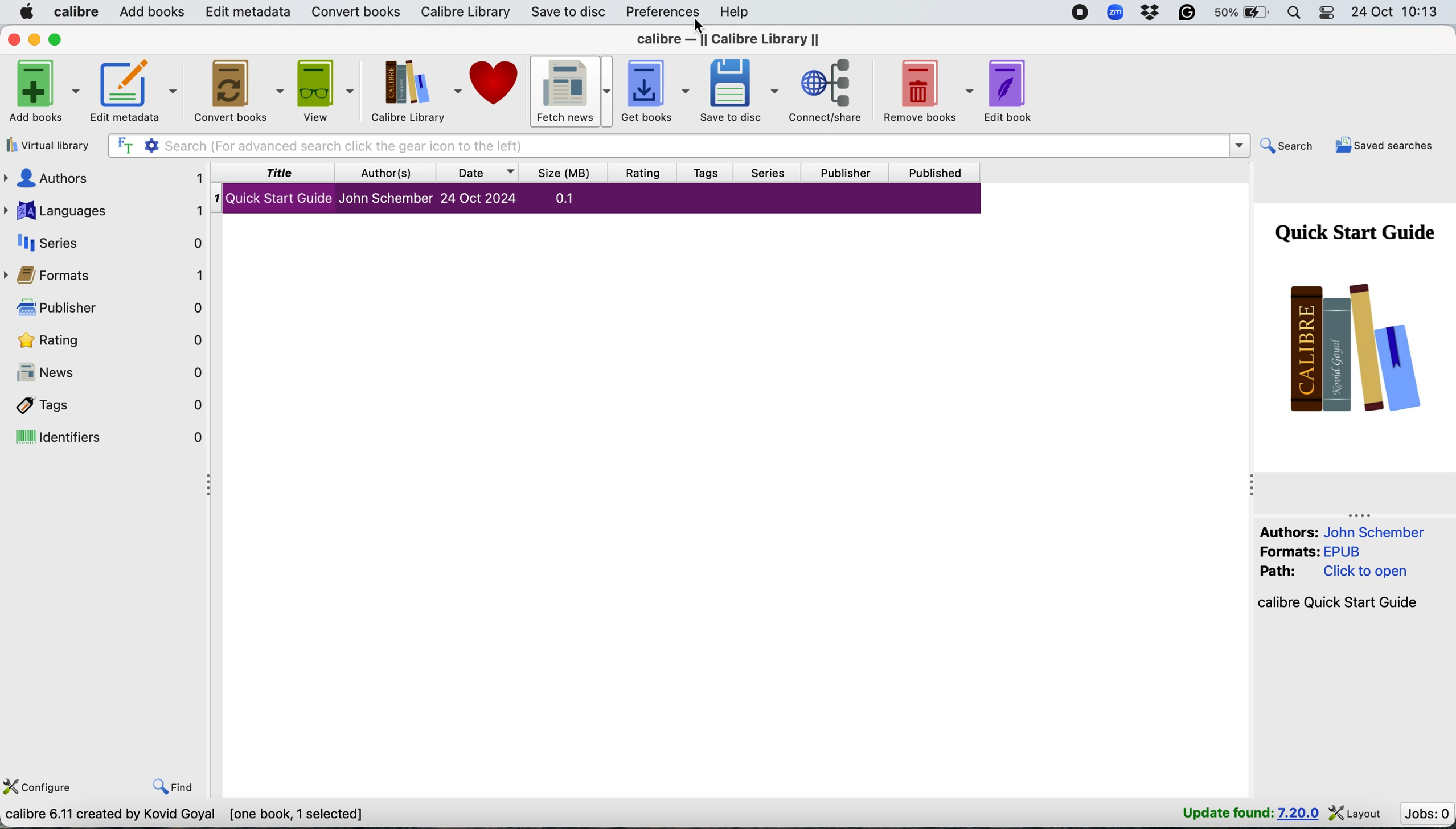 This screenshot has height=829, width=1456. What do you see at coordinates (499, 93) in the screenshot?
I see `donate` at bounding box center [499, 93].